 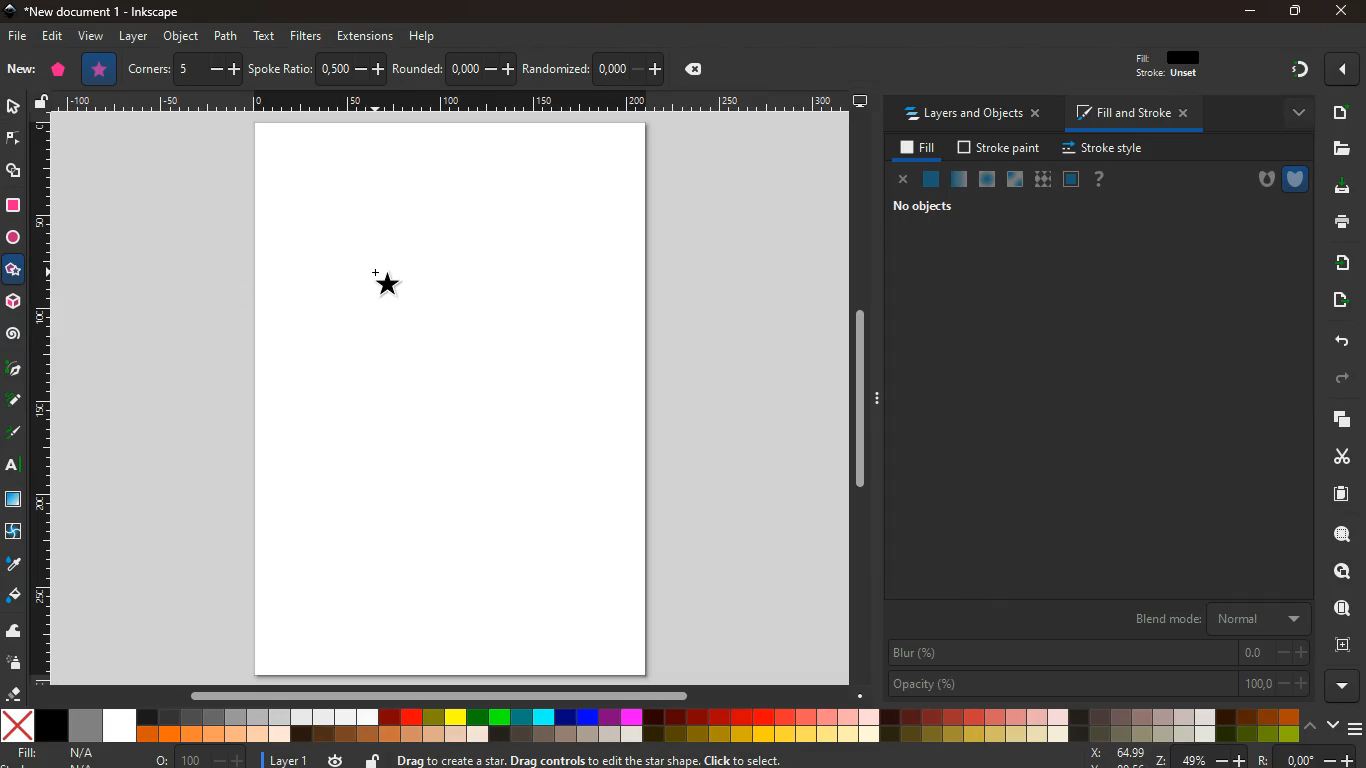 What do you see at coordinates (12, 371) in the screenshot?
I see `pic` at bounding box center [12, 371].